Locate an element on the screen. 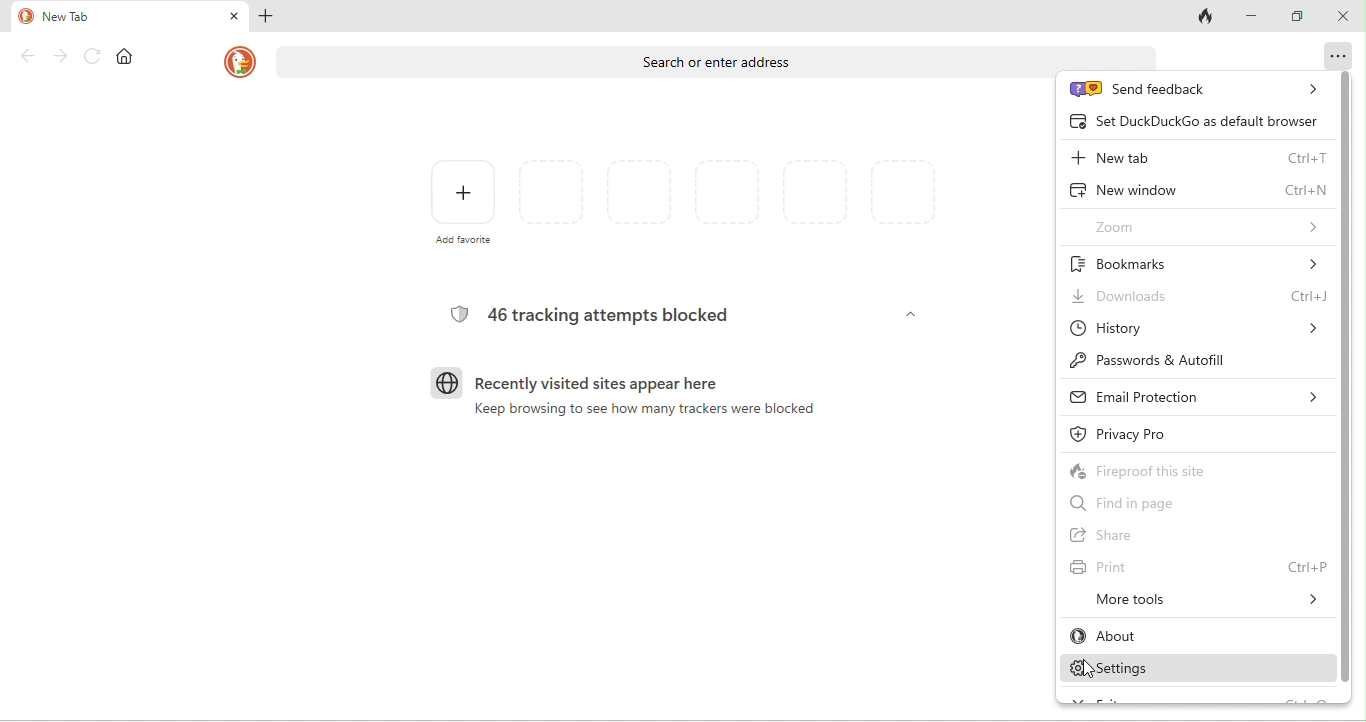 The width and height of the screenshot is (1366, 722). keep browsing to see how many trackers were blocked is located at coordinates (632, 419).